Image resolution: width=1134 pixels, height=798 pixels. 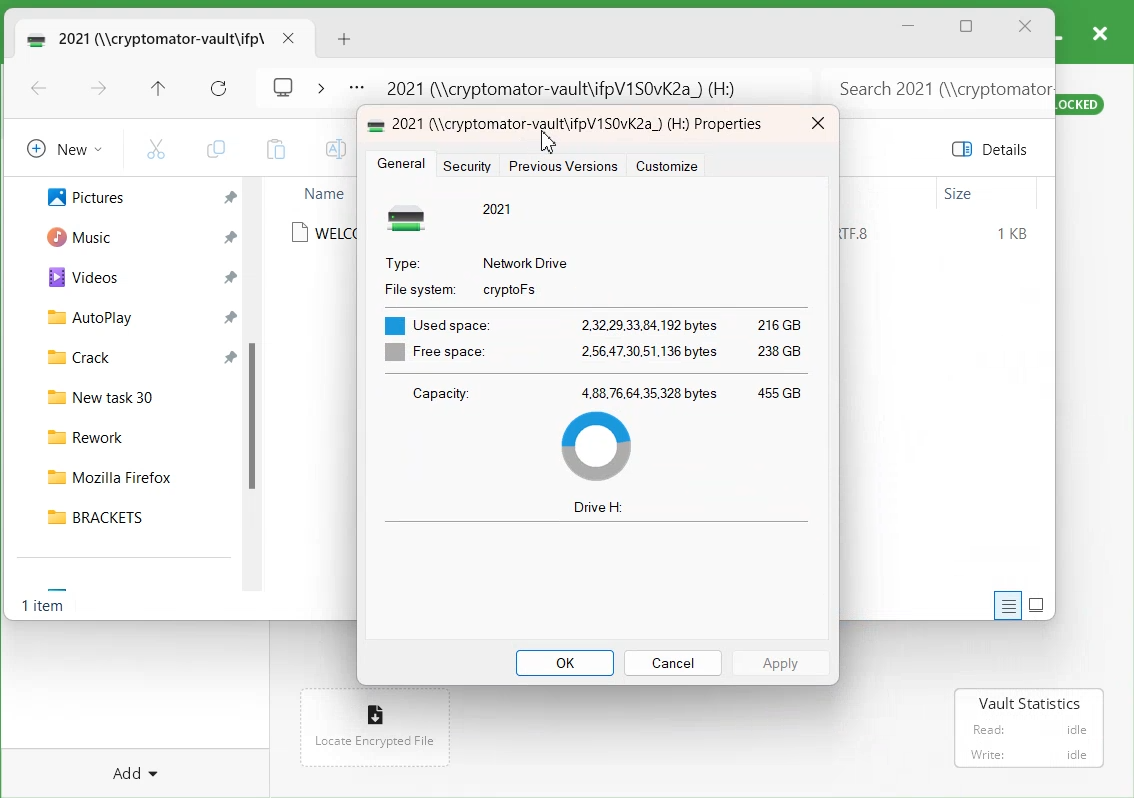 I want to click on BRACKETS, so click(x=131, y=516).